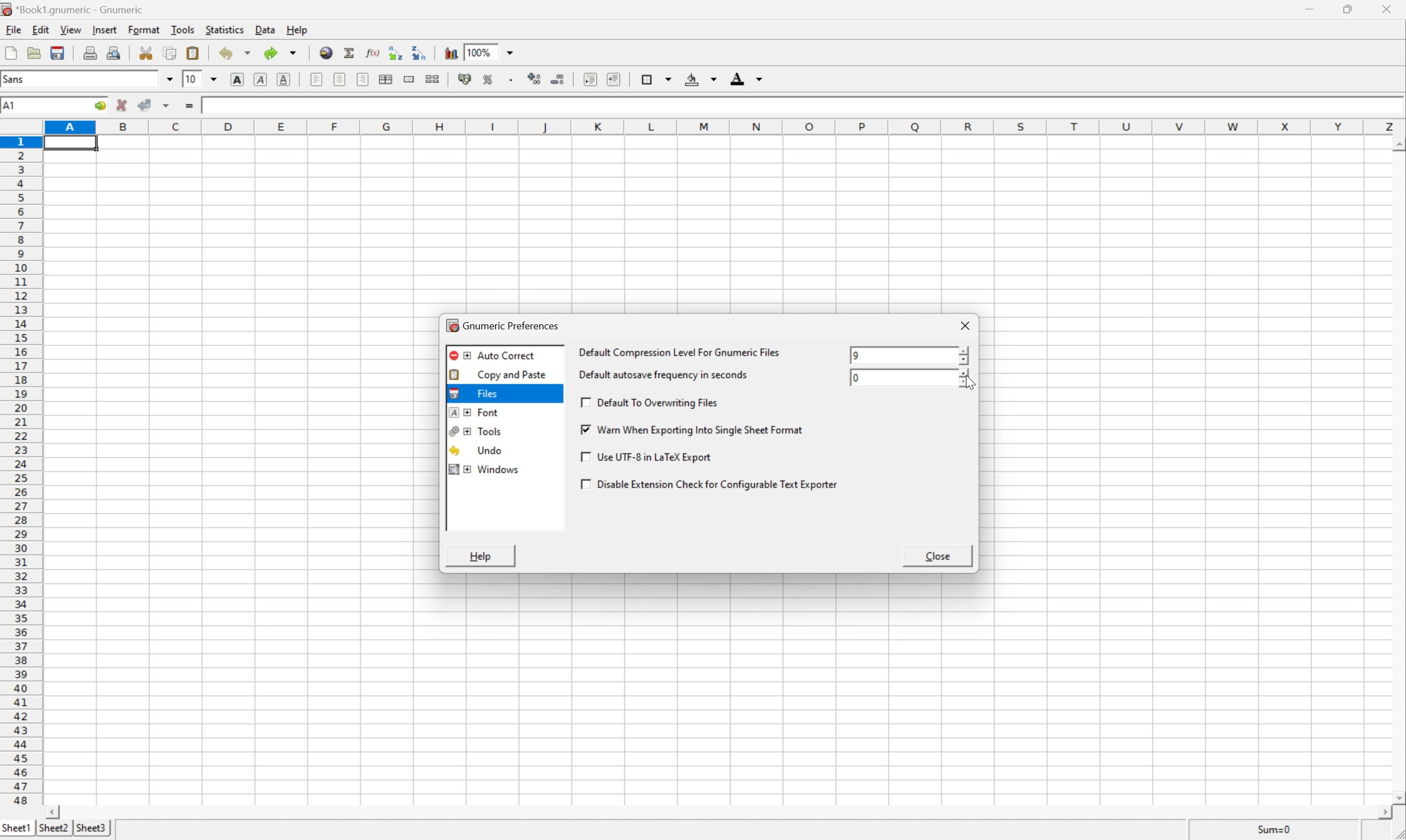  What do you see at coordinates (535, 79) in the screenshot?
I see `increase number of decimals displayed` at bounding box center [535, 79].